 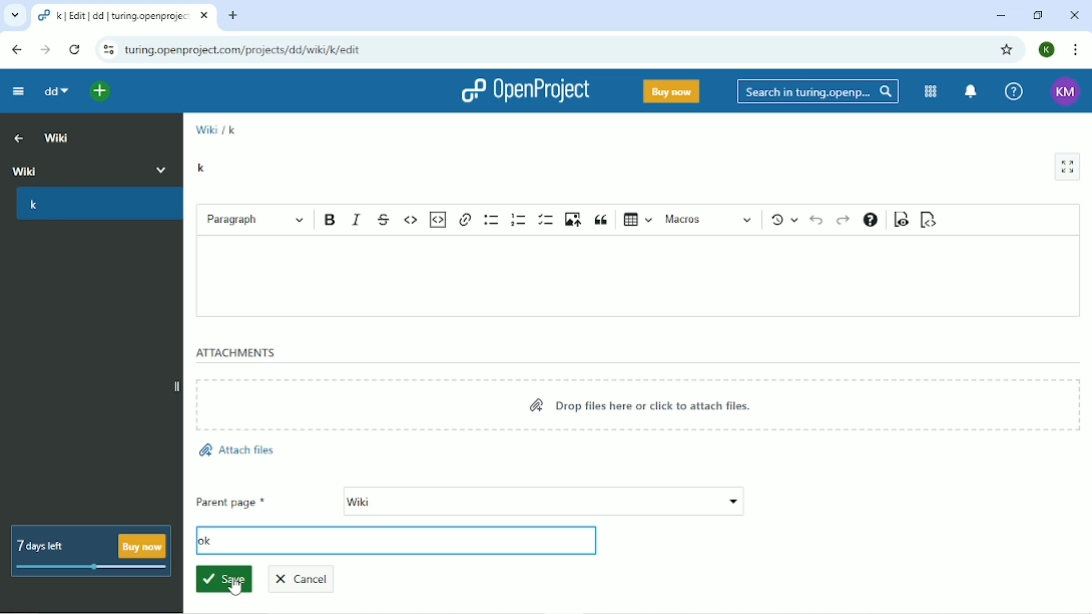 What do you see at coordinates (899, 221) in the screenshot?
I see `Toggle preview mode` at bounding box center [899, 221].